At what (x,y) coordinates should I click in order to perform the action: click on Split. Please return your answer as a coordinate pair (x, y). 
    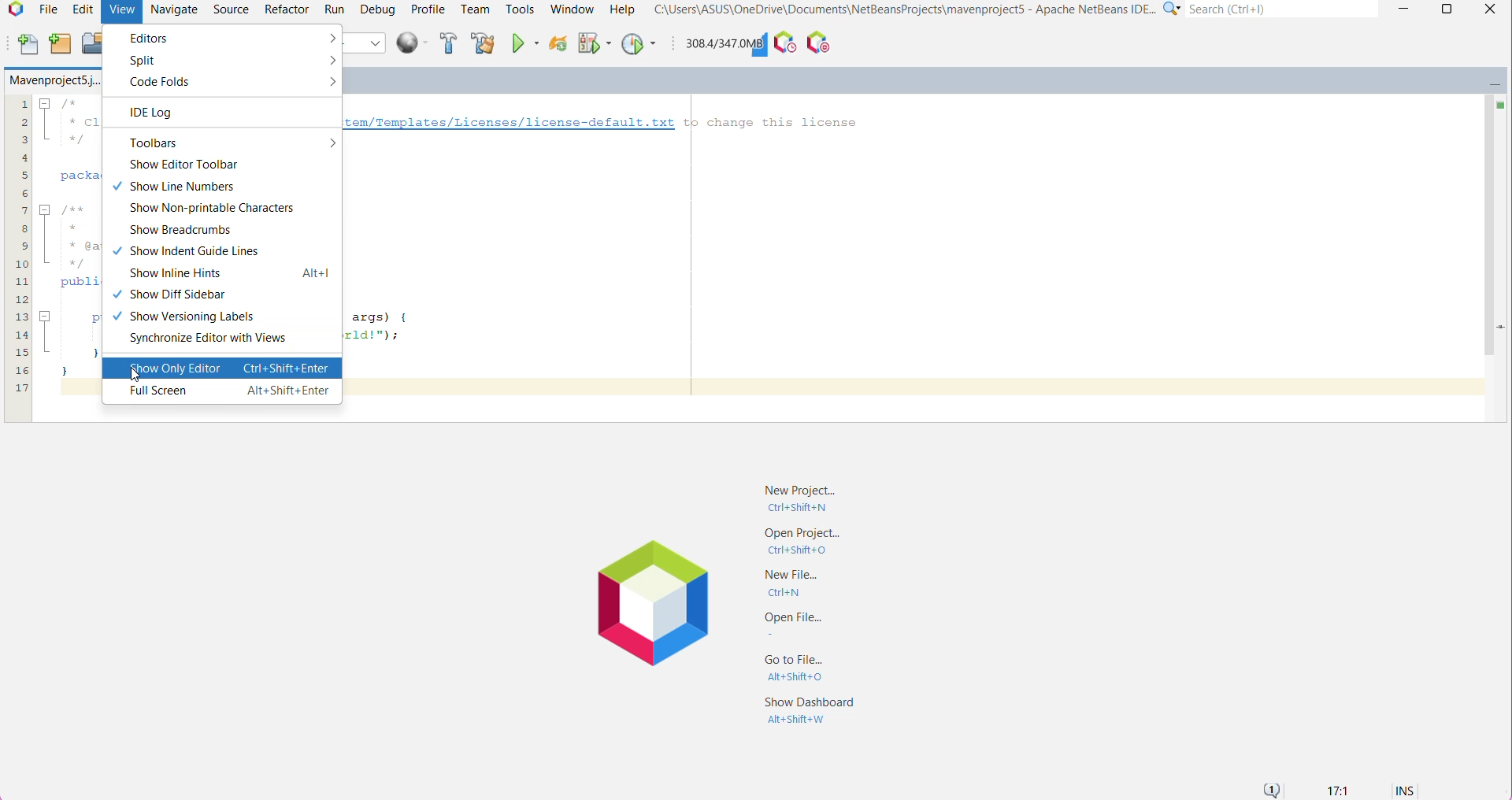
    Looking at the image, I should click on (228, 60).